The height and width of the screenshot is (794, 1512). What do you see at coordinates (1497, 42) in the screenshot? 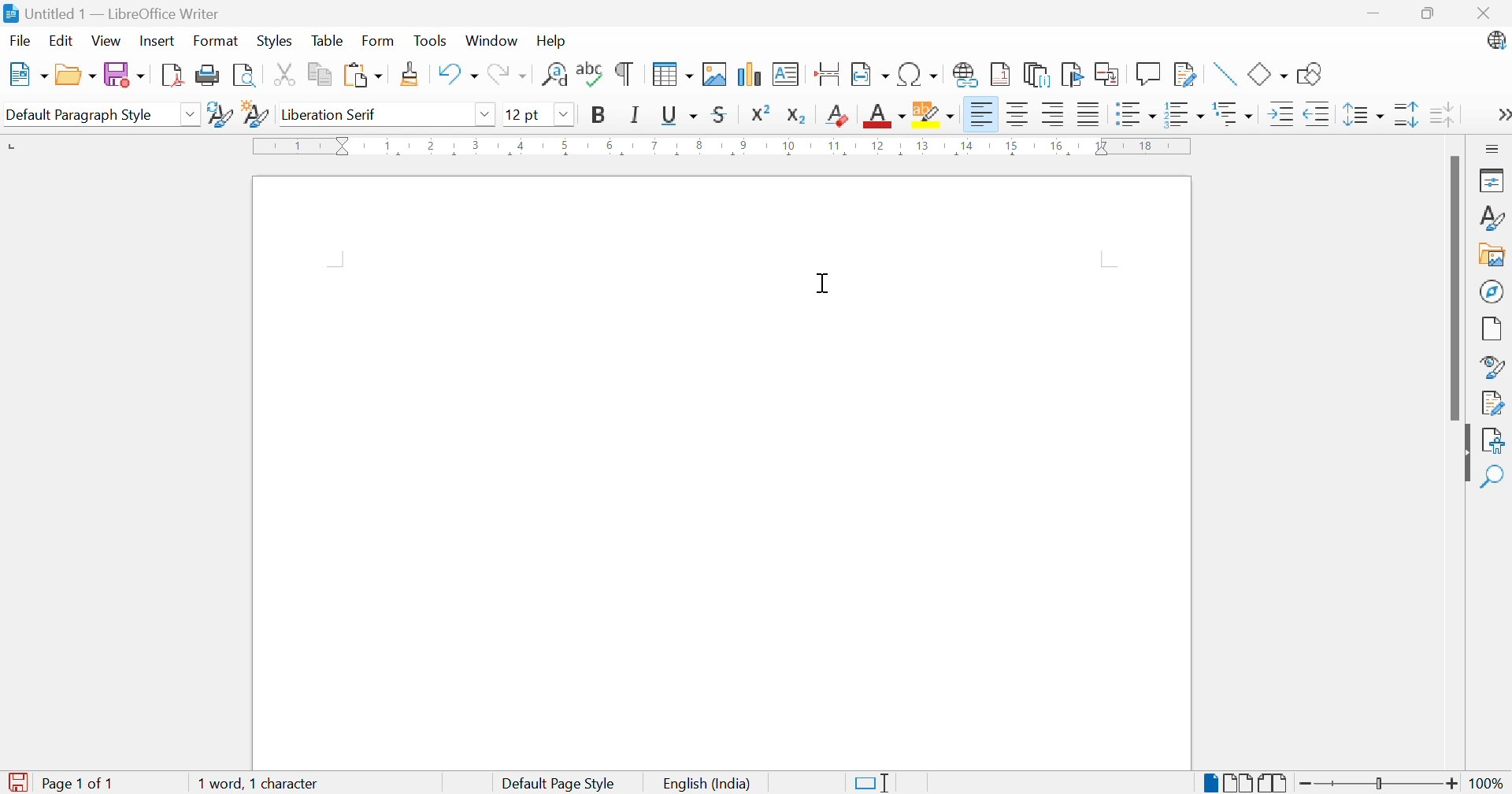
I see `LibreOffice Update Available` at bounding box center [1497, 42].